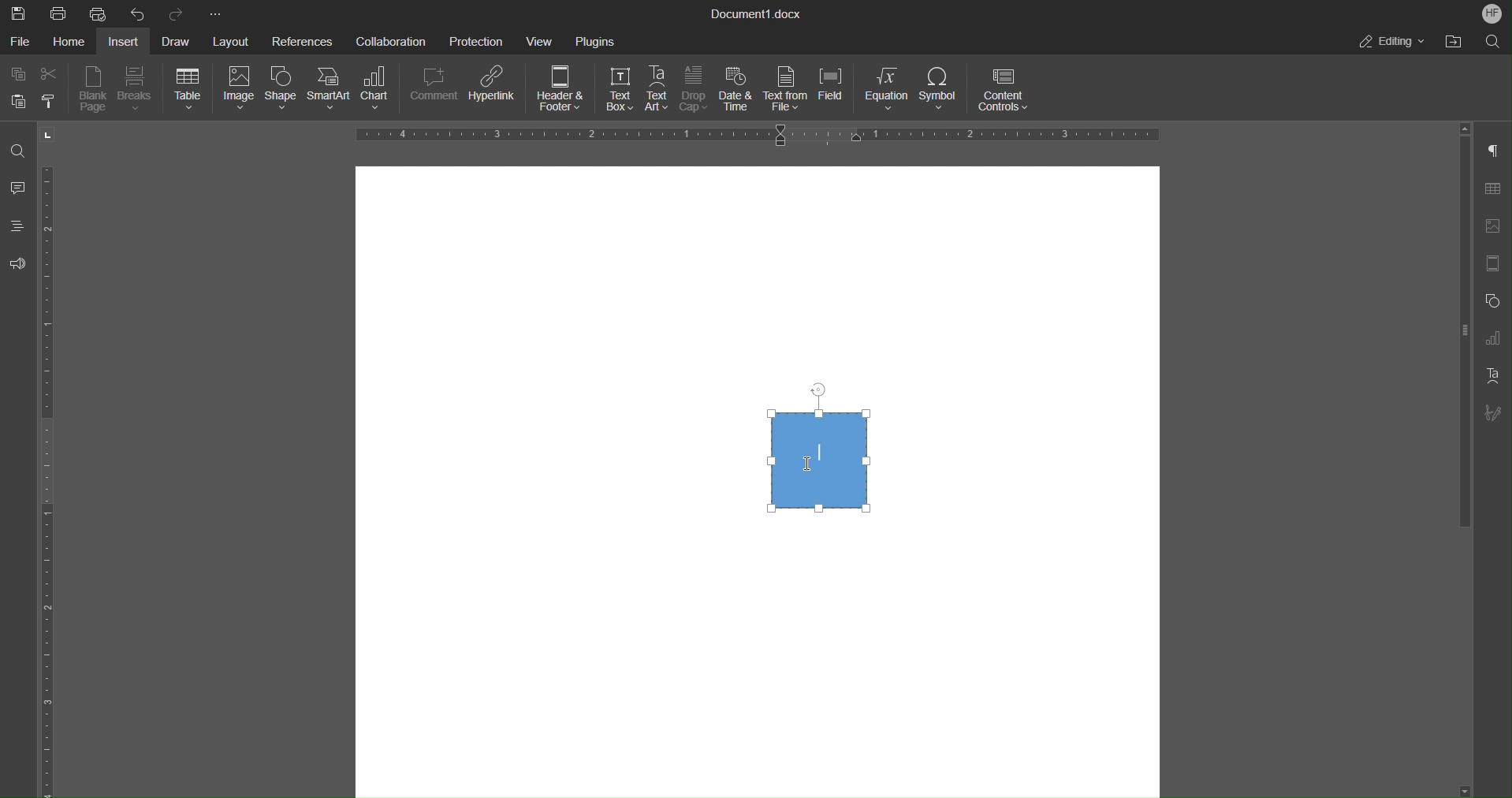 The image size is (1512, 798). What do you see at coordinates (695, 91) in the screenshot?
I see `Drop Cap` at bounding box center [695, 91].